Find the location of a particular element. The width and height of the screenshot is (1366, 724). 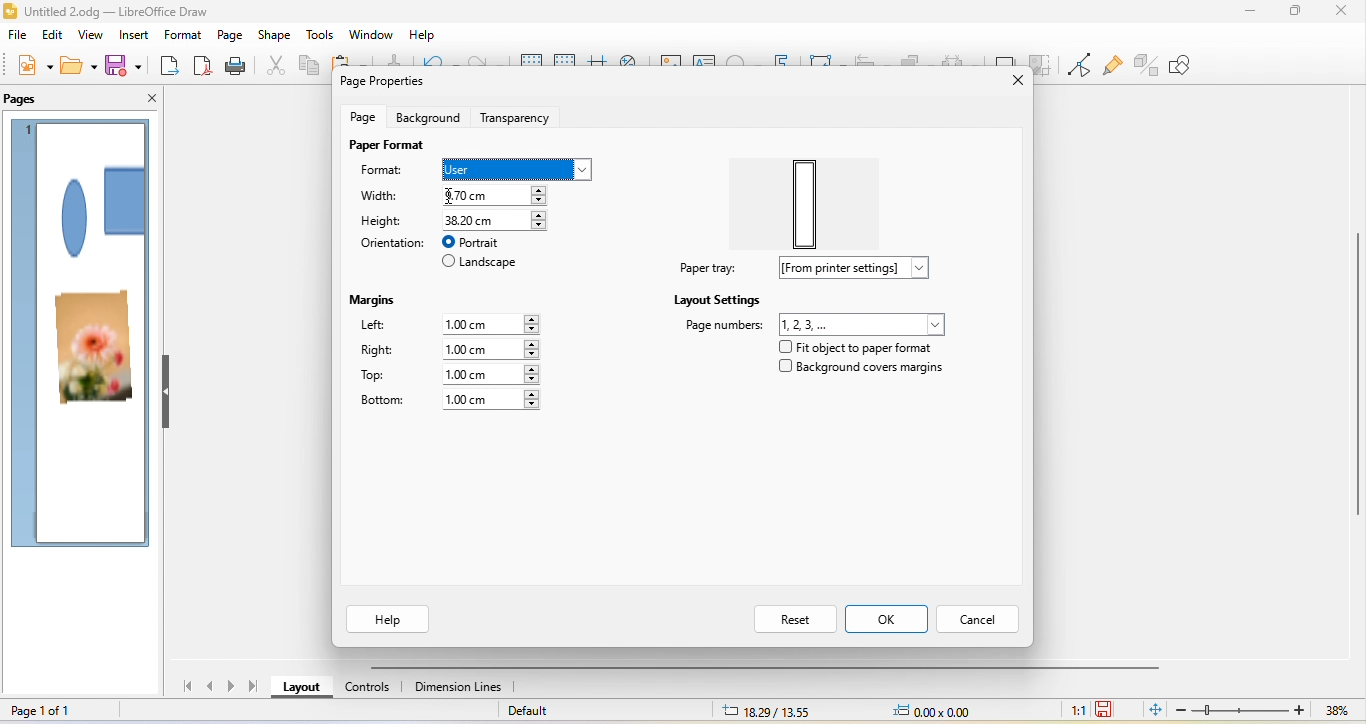

shape is located at coordinates (100, 209).